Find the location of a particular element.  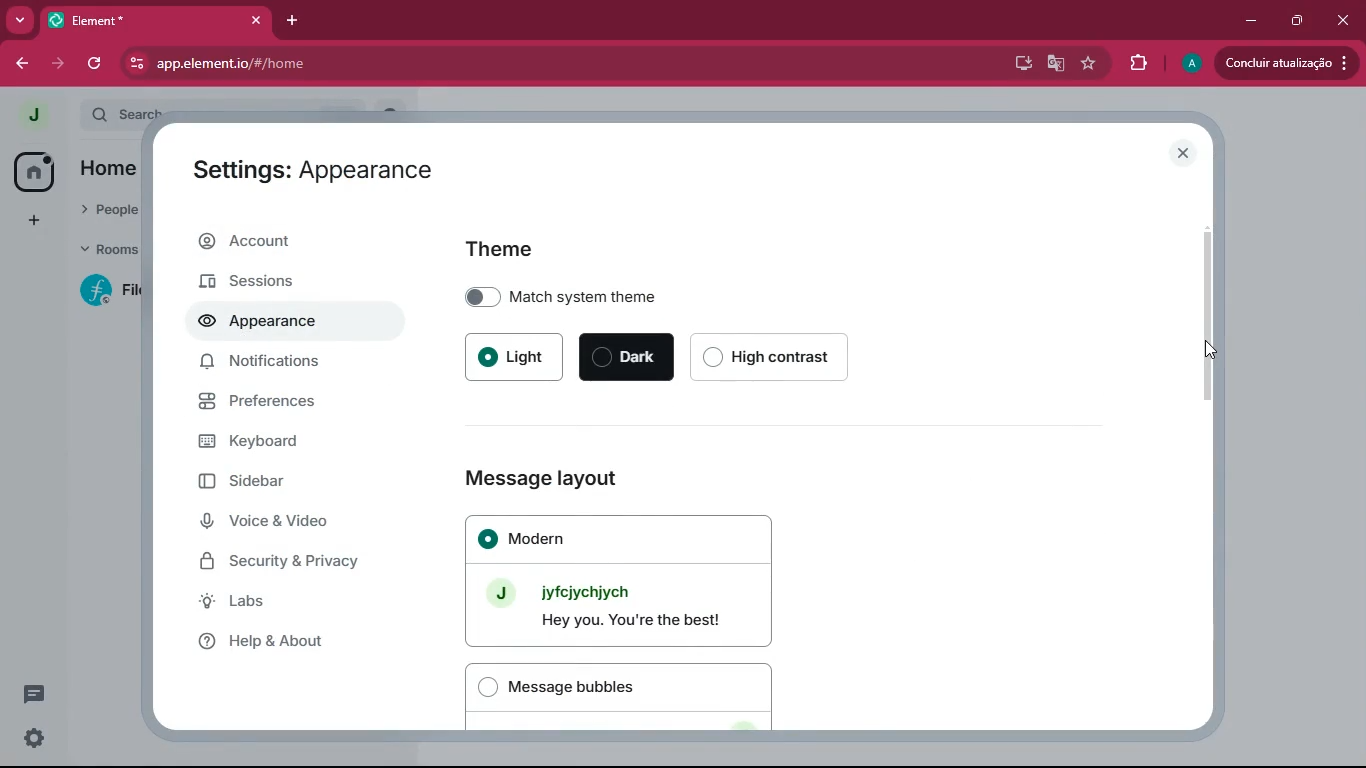

Dark is located at coordinates (629, 357).